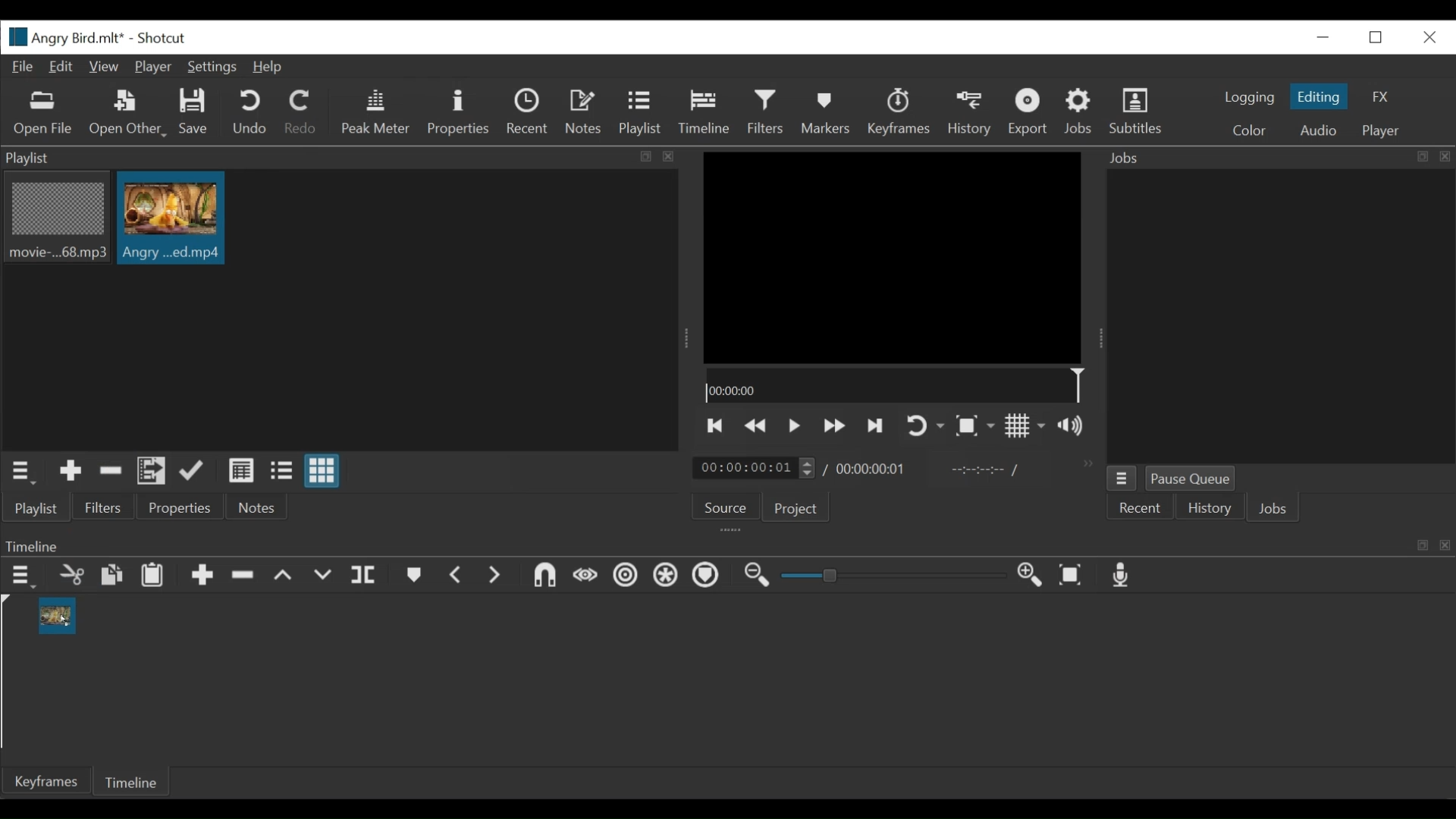 This screenshot has width=1456, height=819. Describe the element at coordinates (457, 114) in the screenshot. I see `Properties` at that location.